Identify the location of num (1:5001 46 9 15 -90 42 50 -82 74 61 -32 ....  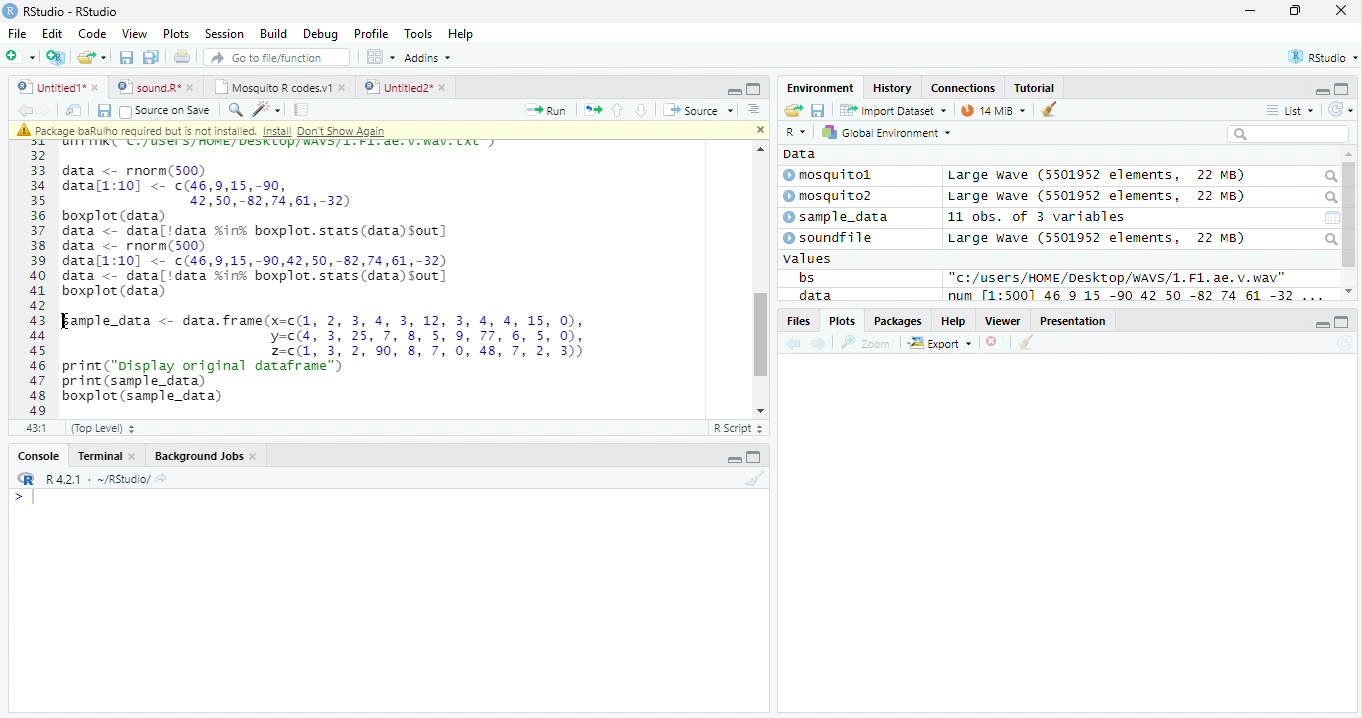
(1138, 296).